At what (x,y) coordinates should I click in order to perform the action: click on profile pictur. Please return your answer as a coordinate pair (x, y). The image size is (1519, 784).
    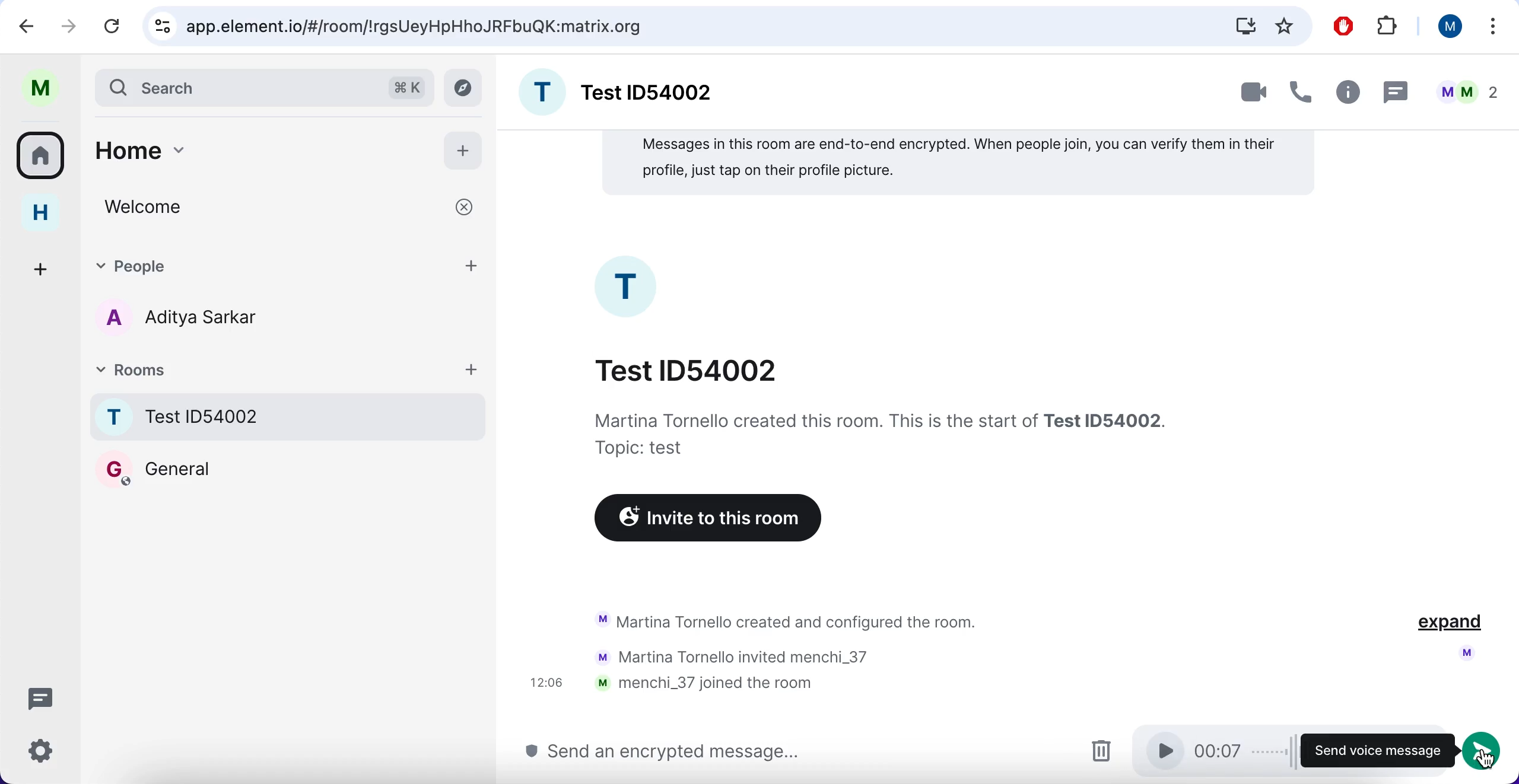
    Looking at the image, I should click on (1464, 653).